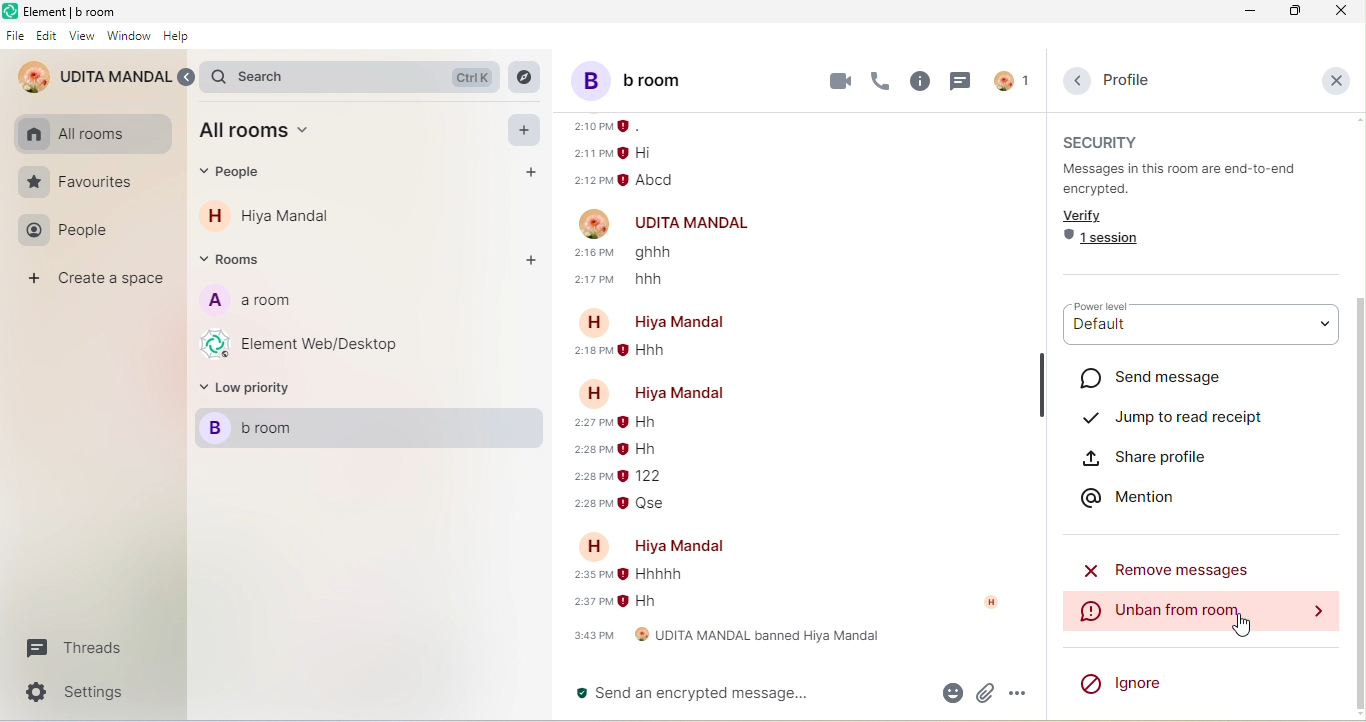 This screenshot has width=1366, height=722. What do you see at coordinates (306, 343) in the screenshot?
I see `element web/desktop` at bounding box center [306, 343].